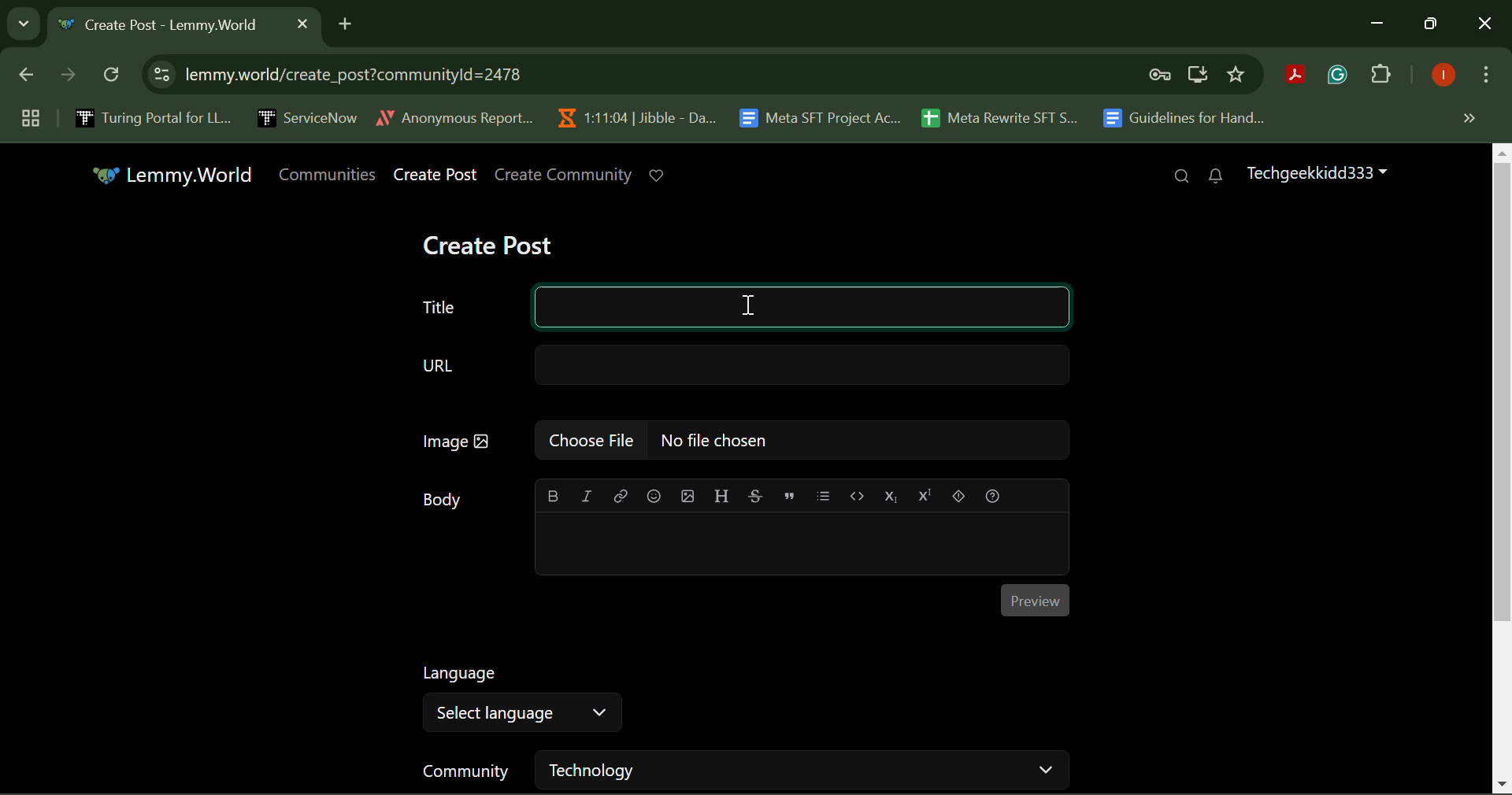 The height and width of the screenshot is (795, 1512). I want to click on subscript, so click(892, 494).